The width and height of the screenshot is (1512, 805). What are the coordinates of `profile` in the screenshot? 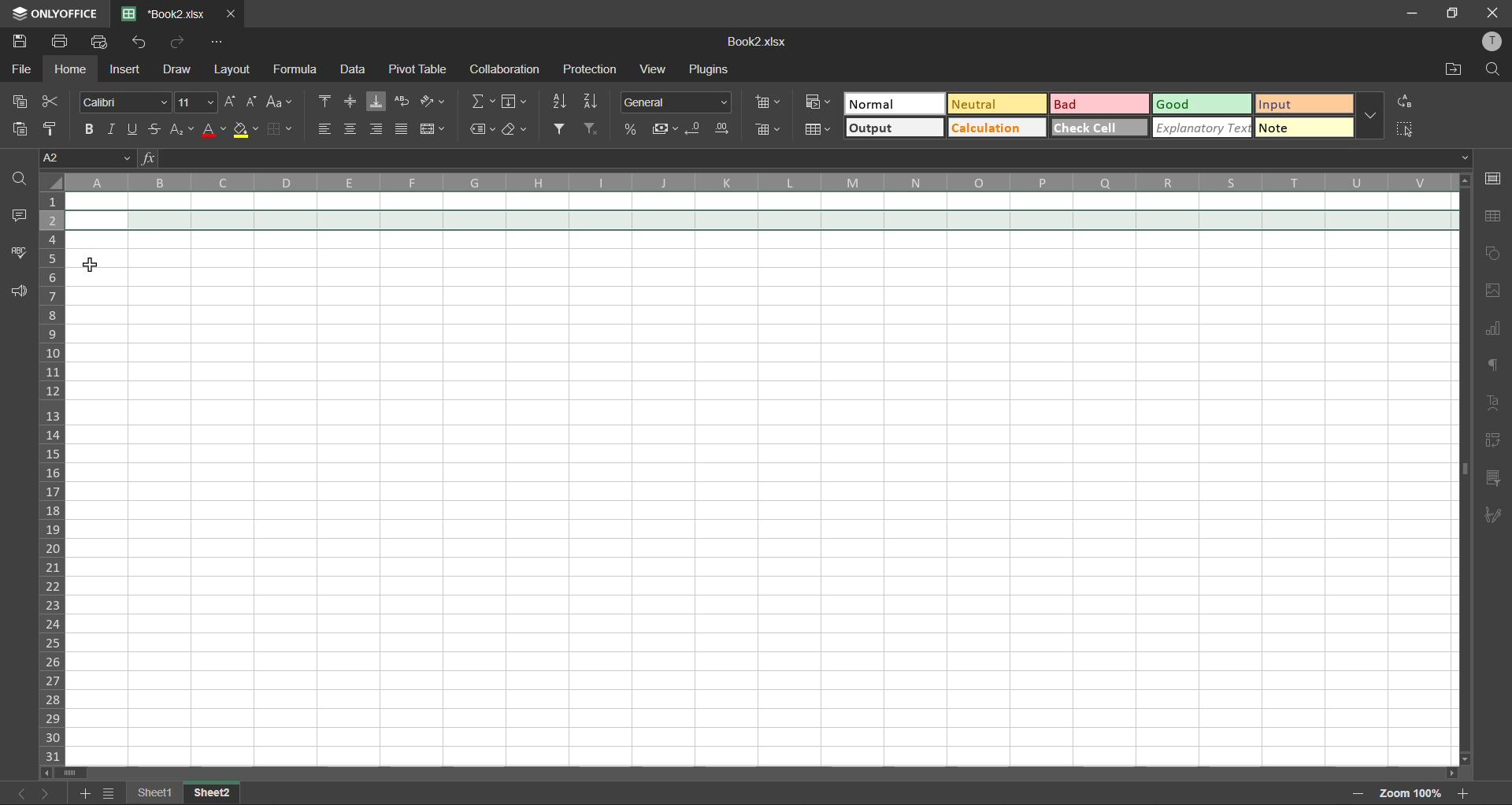 It's located at (1494, 43).